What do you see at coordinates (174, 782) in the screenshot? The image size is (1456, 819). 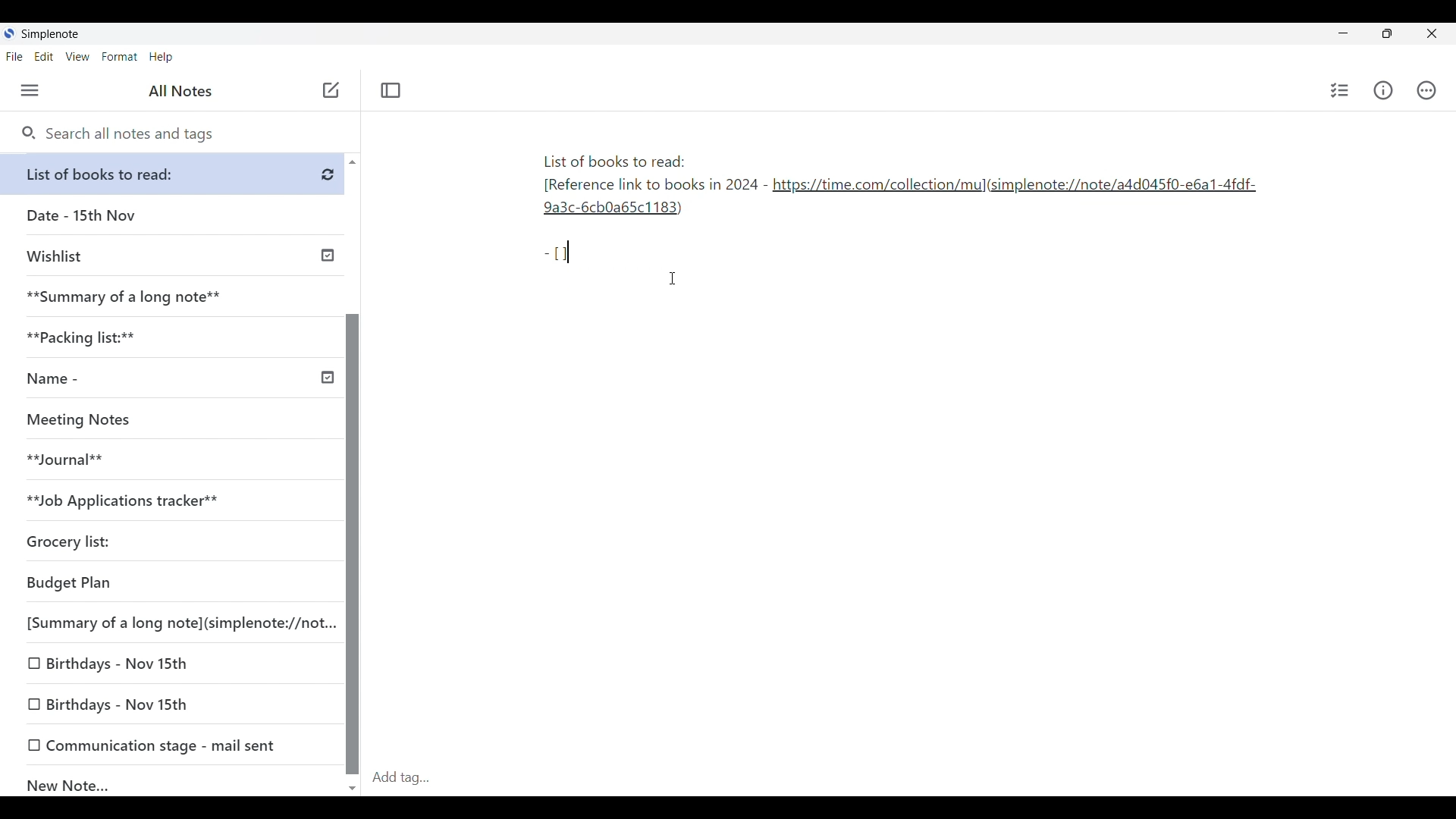 I see `New Note...` at bounding box center [174, 782].